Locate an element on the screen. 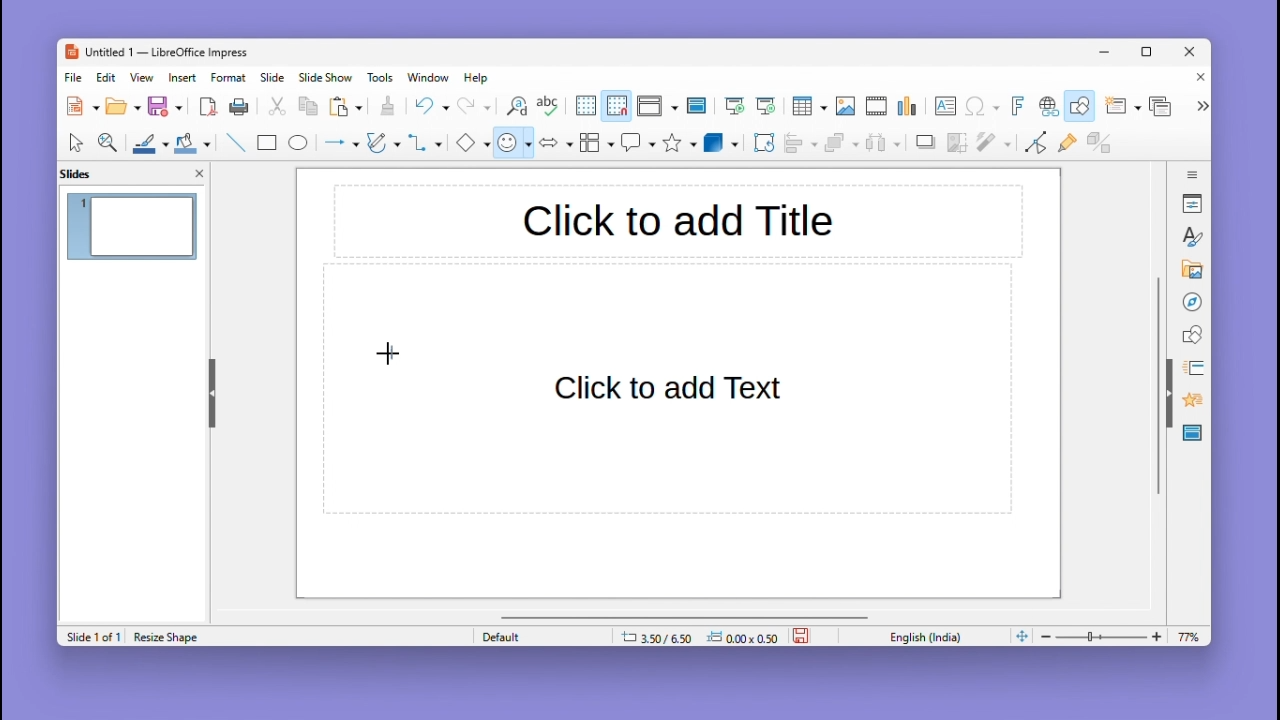 Image resolution: width=1280 pixels, height=720 pixels. Fill colour is located at coordinates (190, 143).